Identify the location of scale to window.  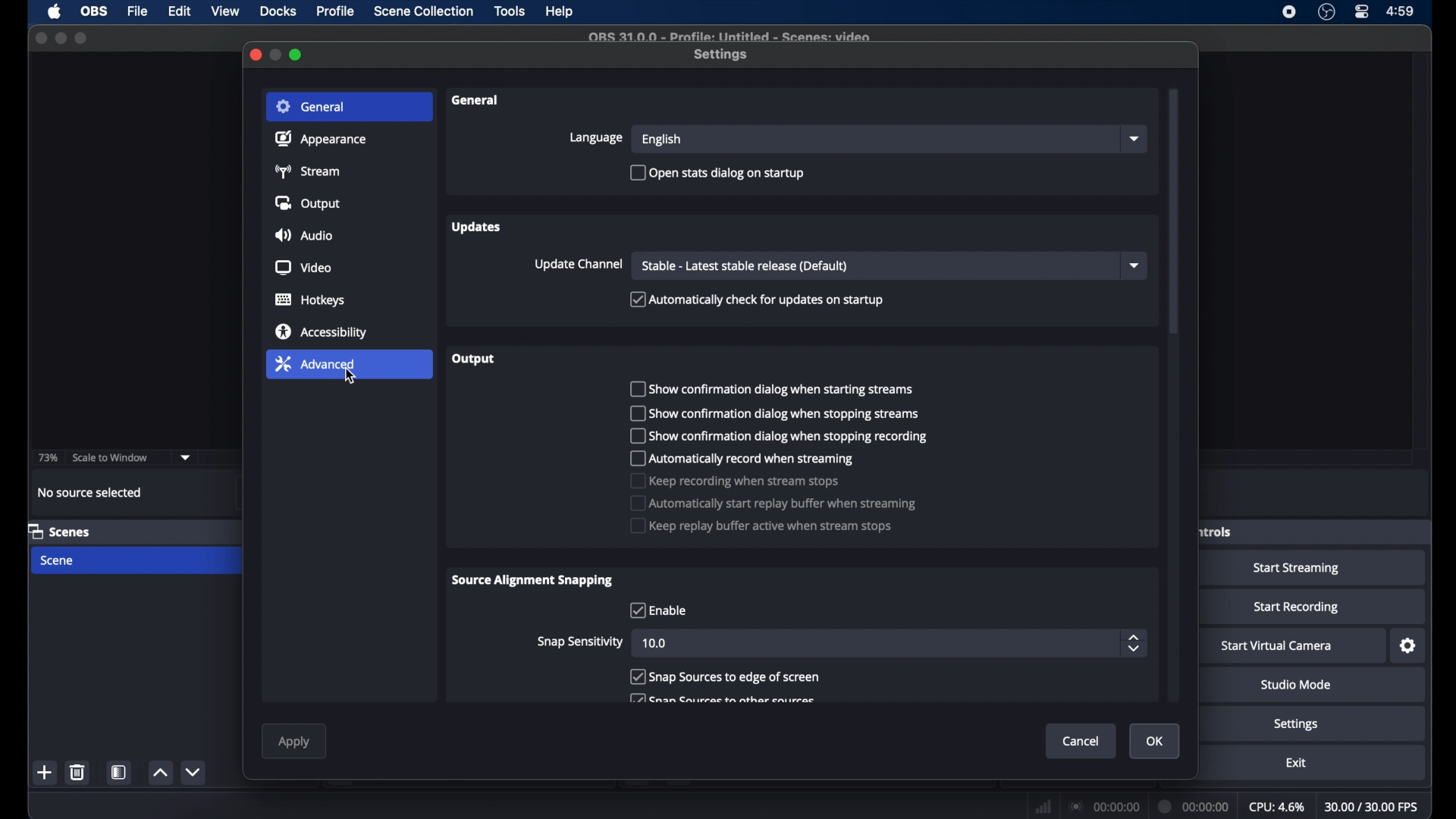
(111, 457).